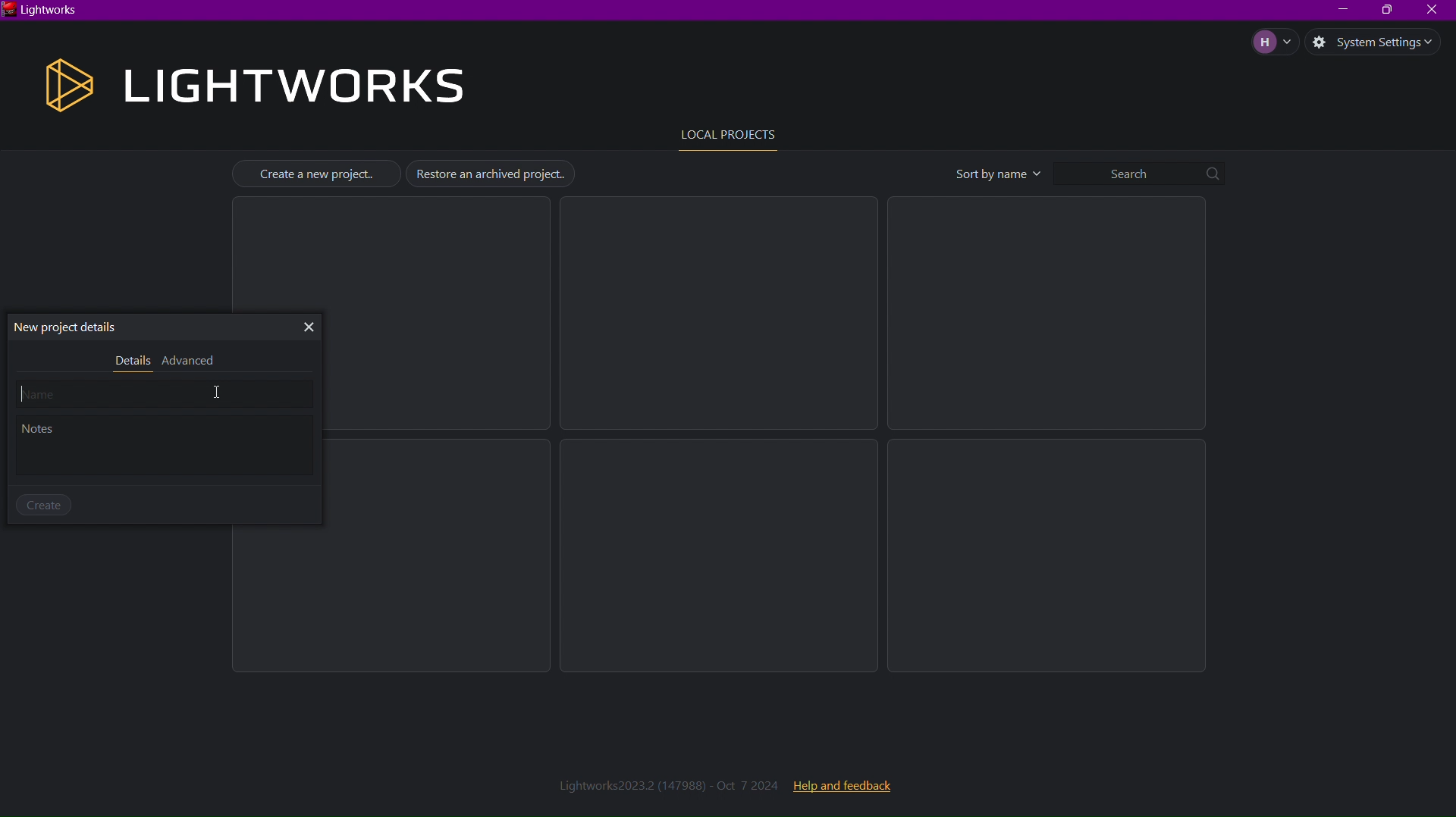  Describe the element at coordinates (720, 314) in the screenshot. I see `Empty Project` at that location.